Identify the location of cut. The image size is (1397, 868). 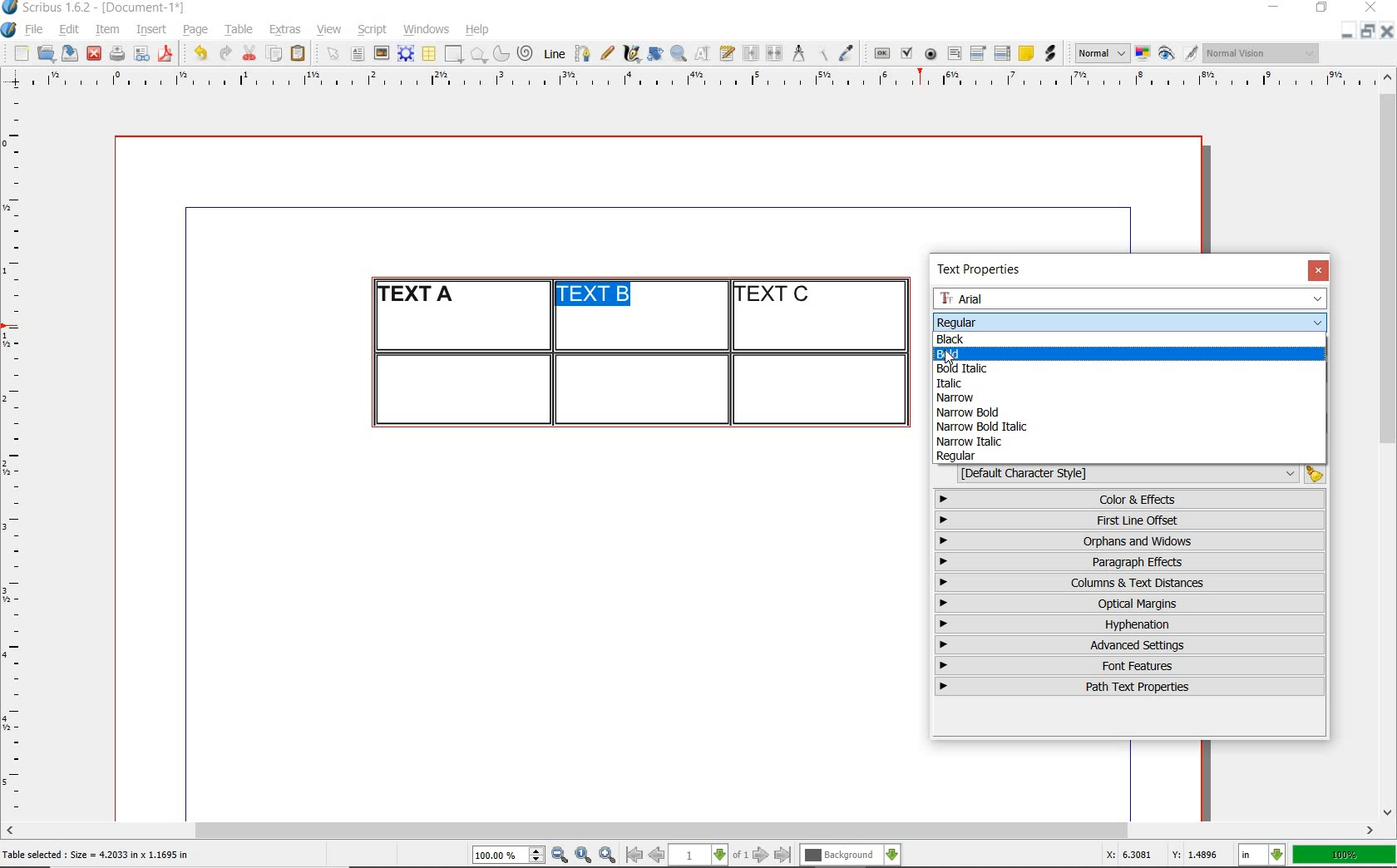
(249, 52).